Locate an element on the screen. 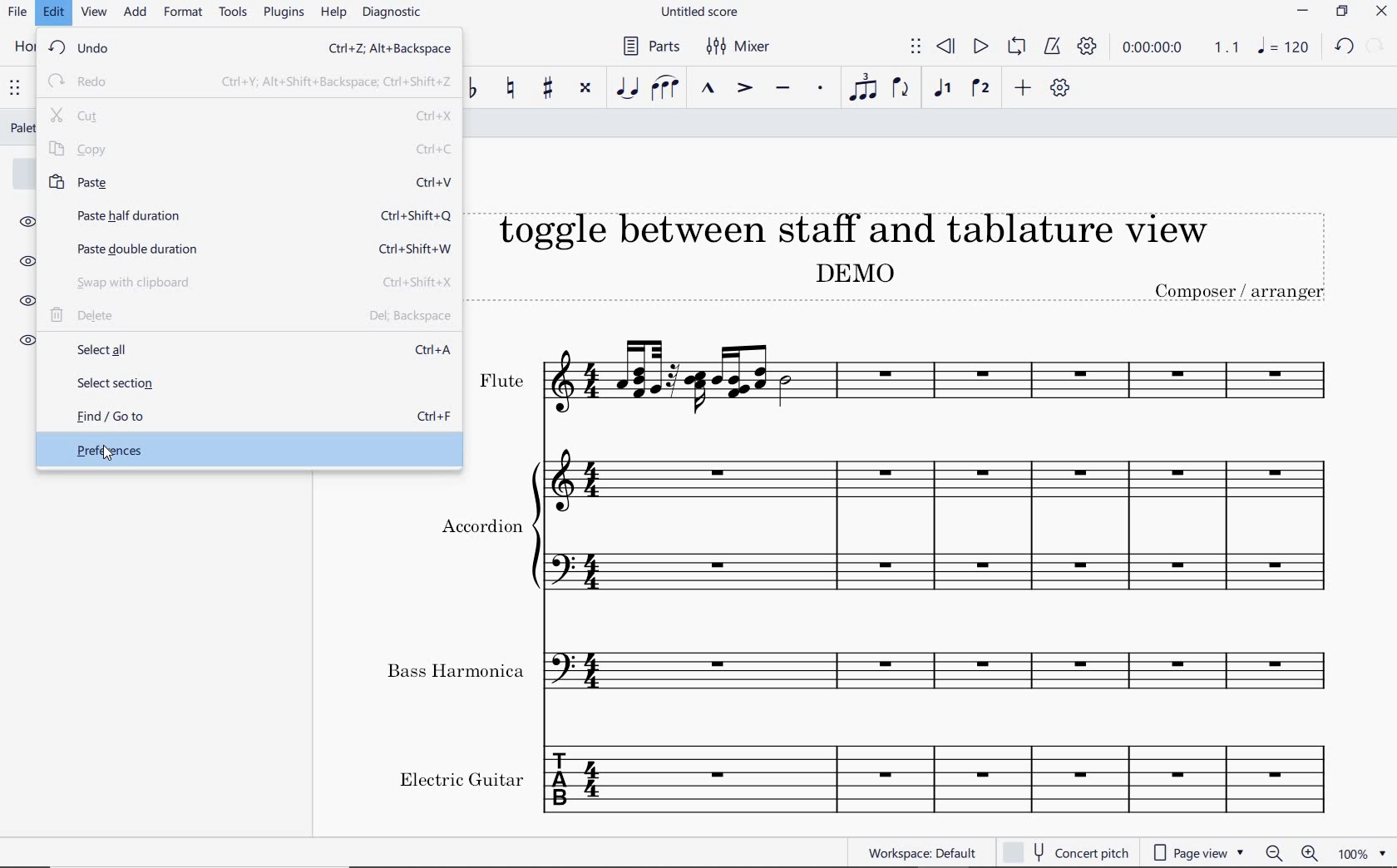 Image resolution: width=1397 pixels, height=868 pixels. Instrument: Bass Harmonica is located at coordinates (867, 675).